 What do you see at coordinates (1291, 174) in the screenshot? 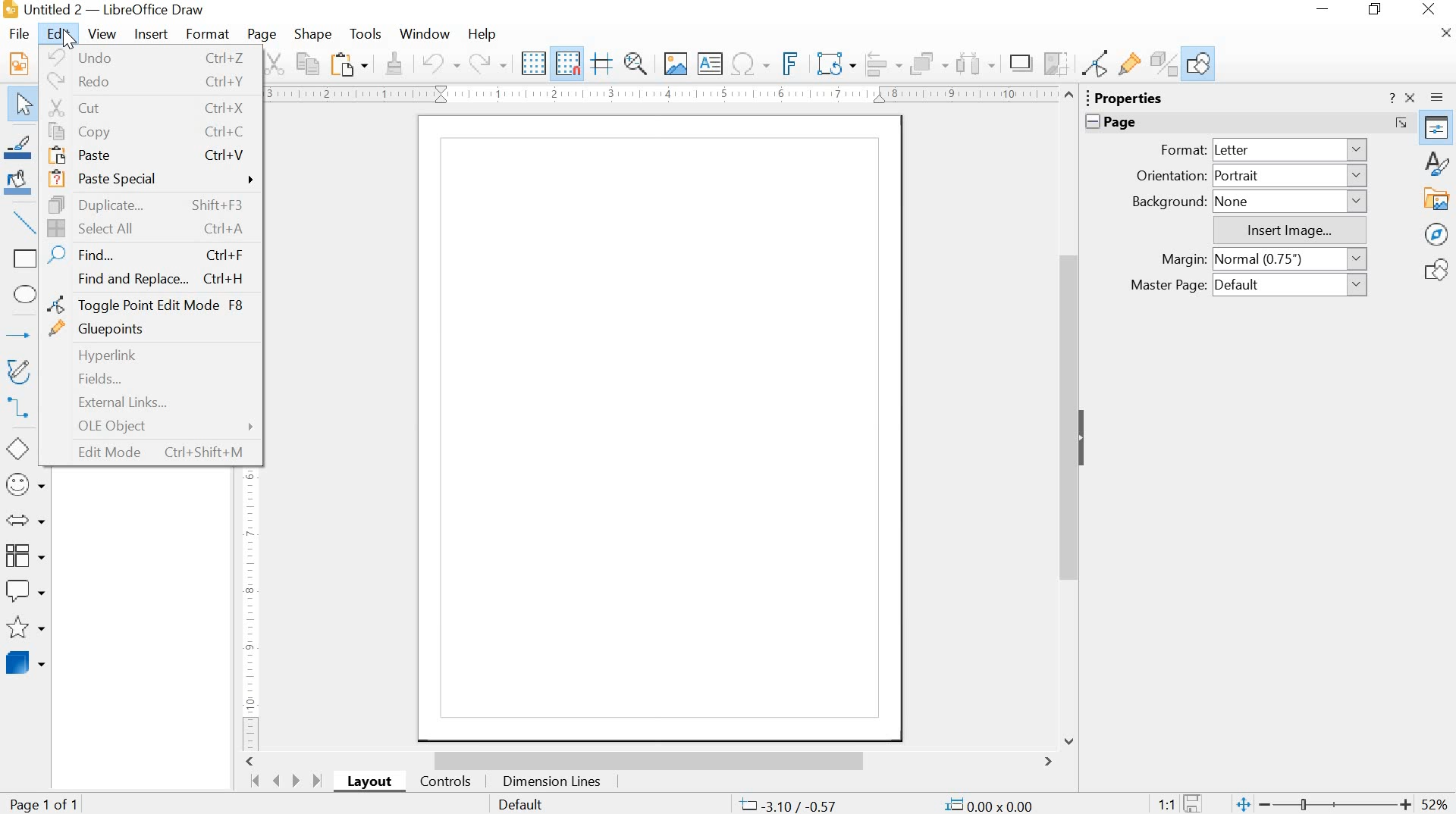
I see `Portrait` at bounding box center [1291, 174].